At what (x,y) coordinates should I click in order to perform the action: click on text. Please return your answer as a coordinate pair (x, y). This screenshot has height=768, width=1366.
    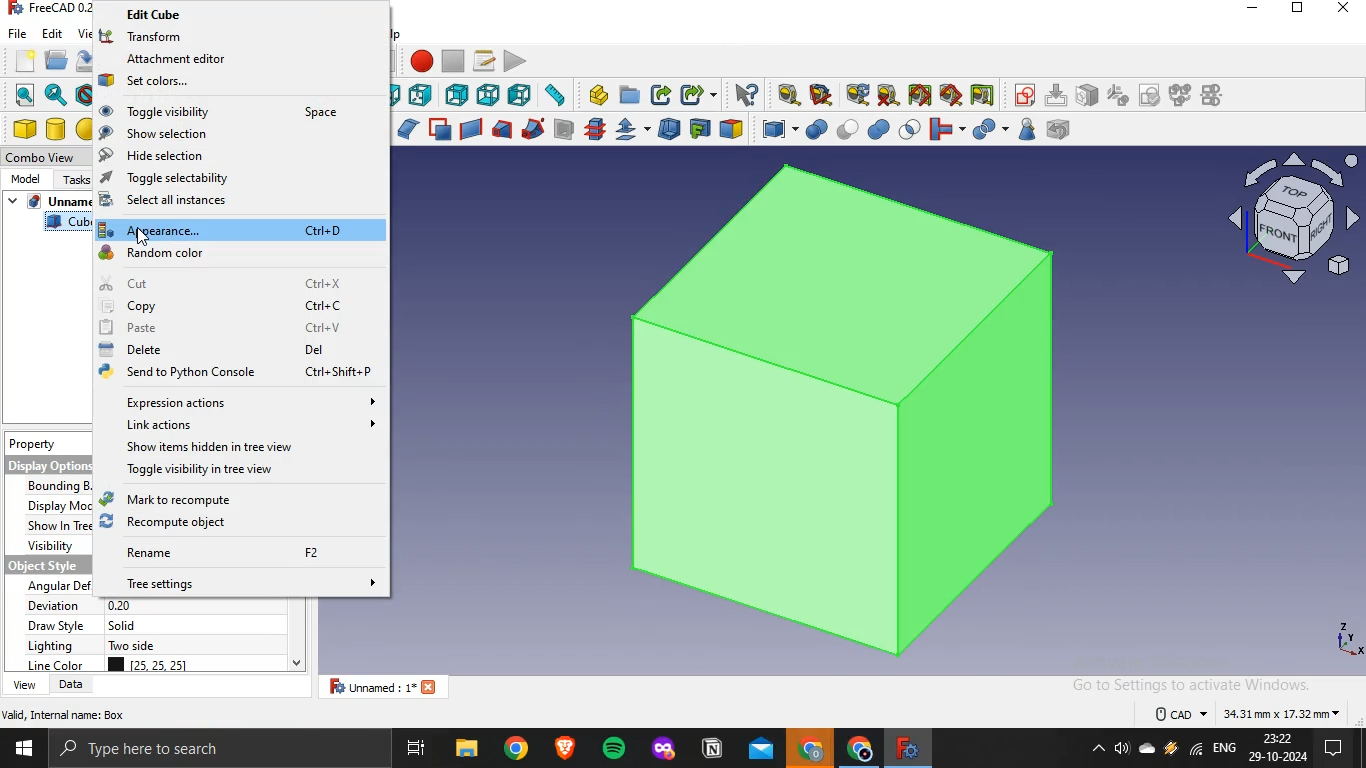
    Looking at the image, I should click on (1249, 711).